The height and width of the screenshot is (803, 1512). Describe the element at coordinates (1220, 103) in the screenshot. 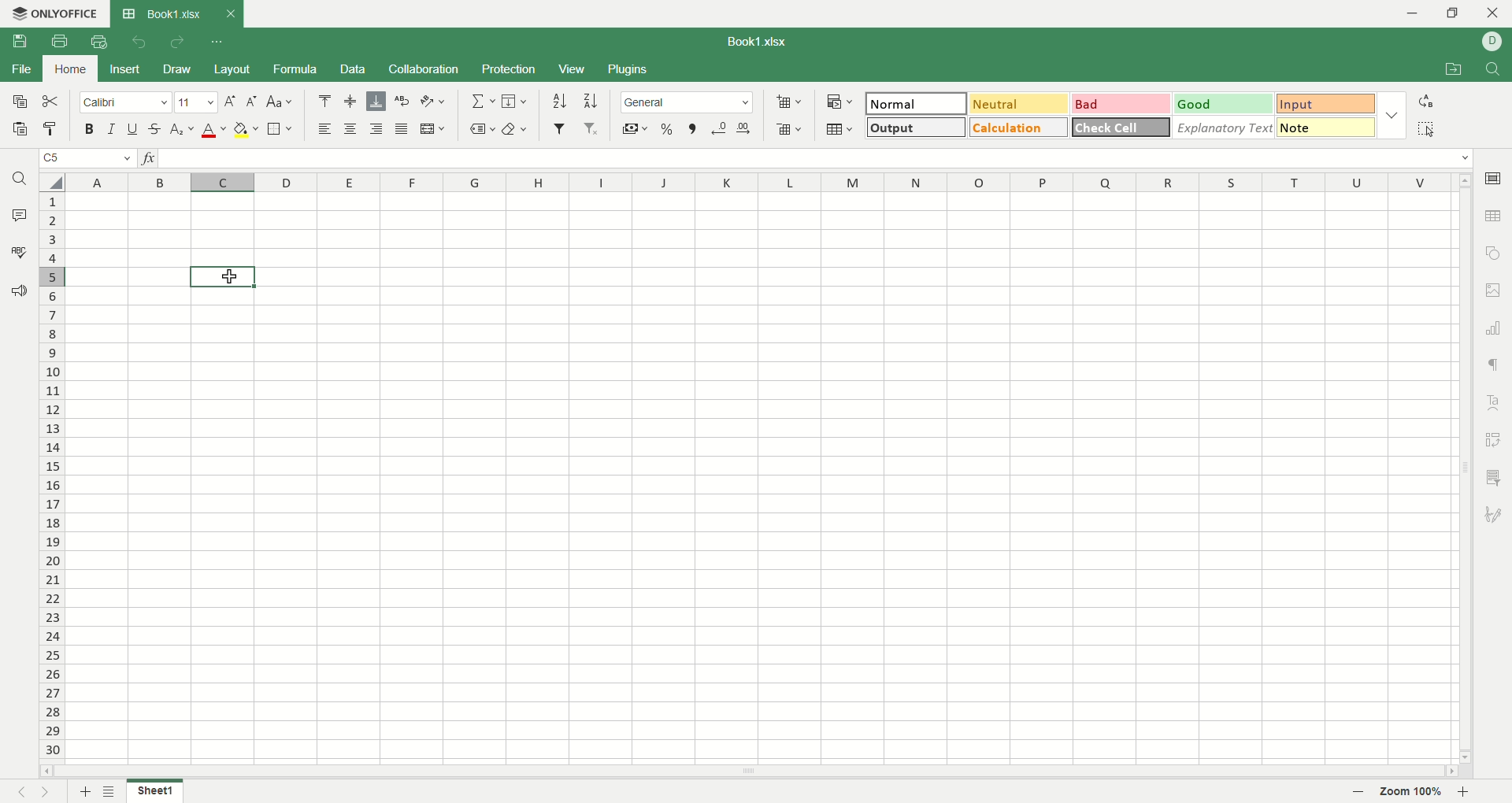

I see `good` at that location.